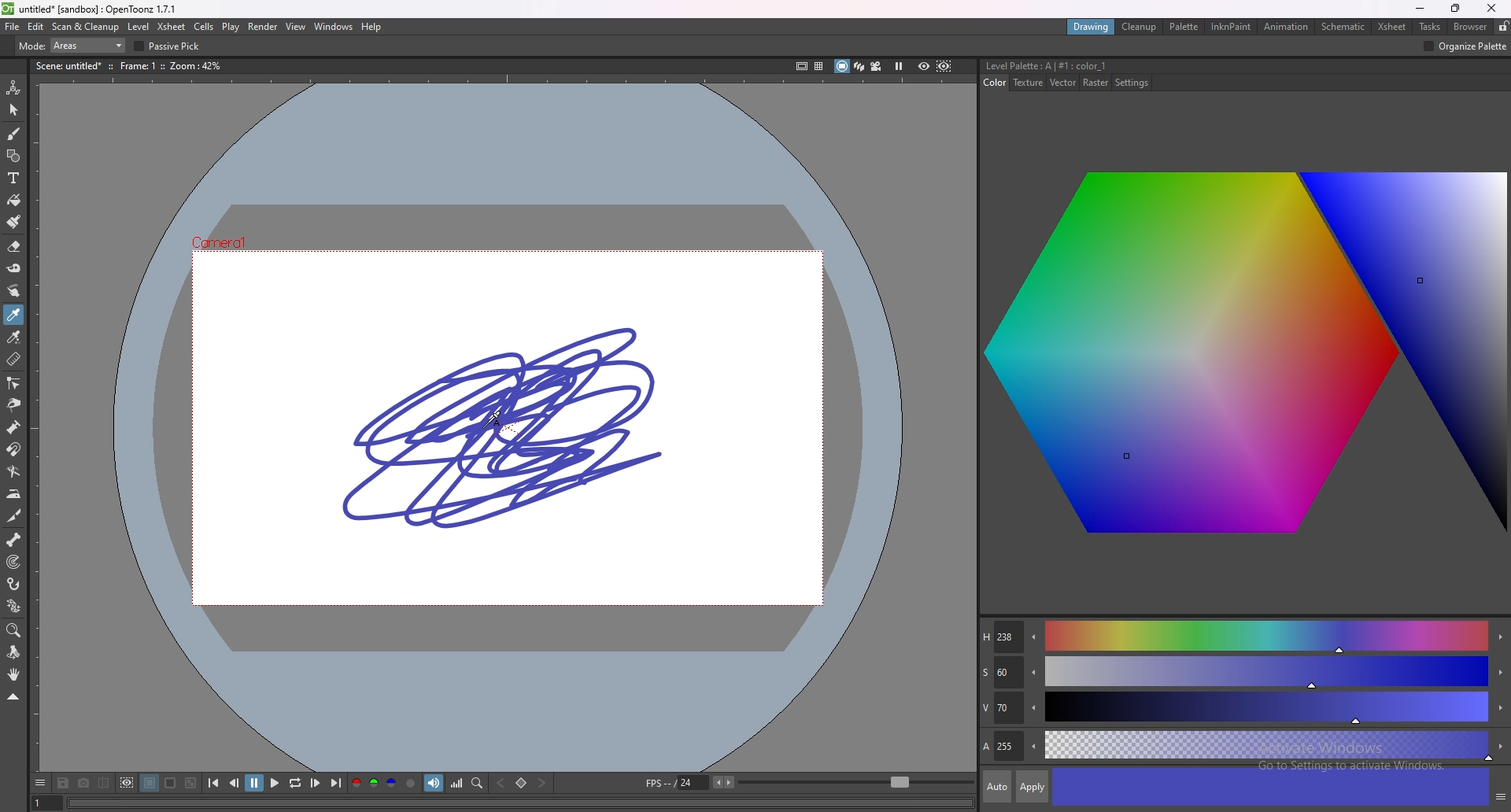 The height and width of the screenshot is (812, 1511). Describe the element at coordinates (1232, 45) in the screenshot. I see `join` at that location.